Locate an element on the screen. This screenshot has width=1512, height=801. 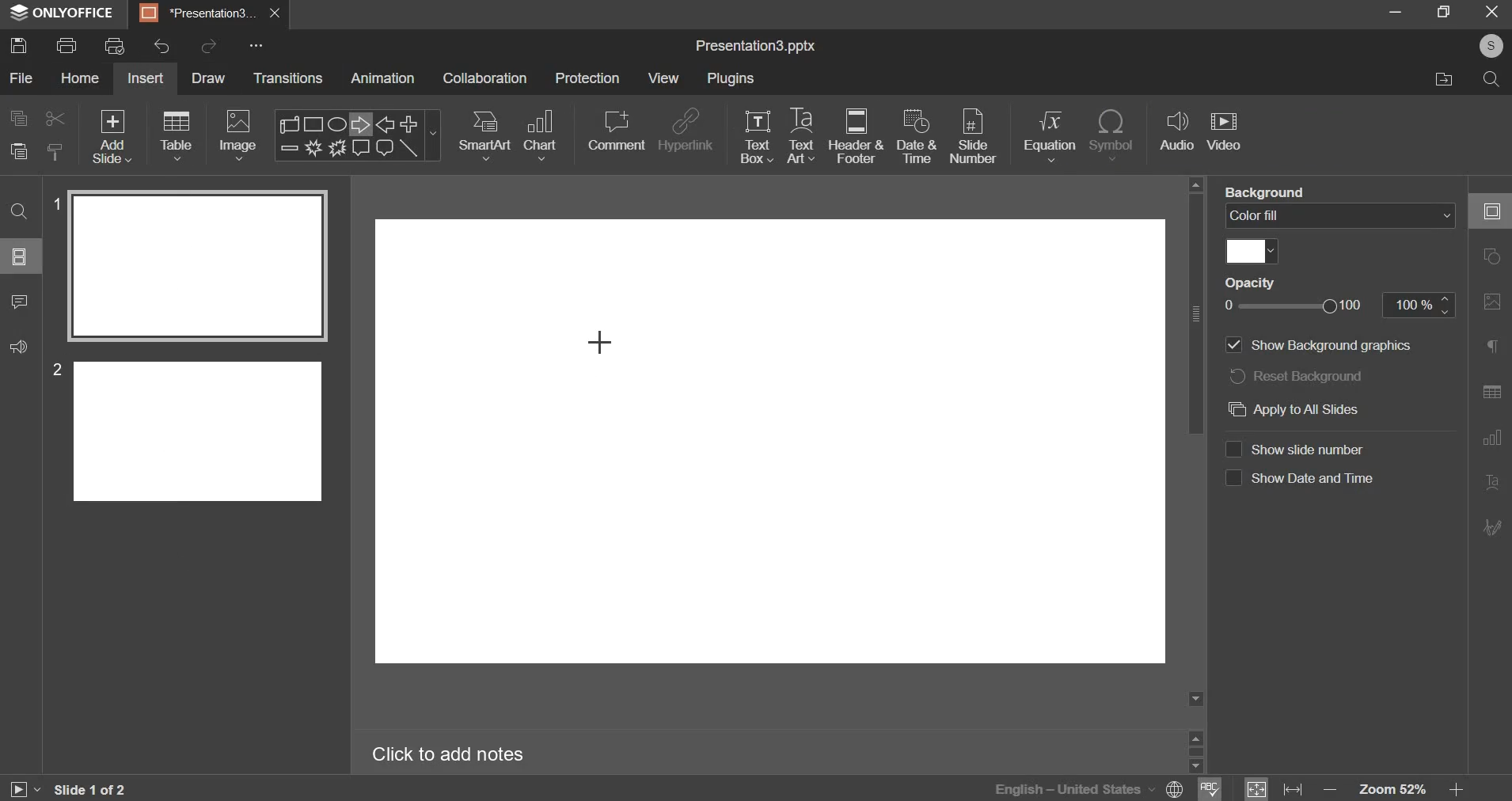
explosion is located at coordinates (311, 148).